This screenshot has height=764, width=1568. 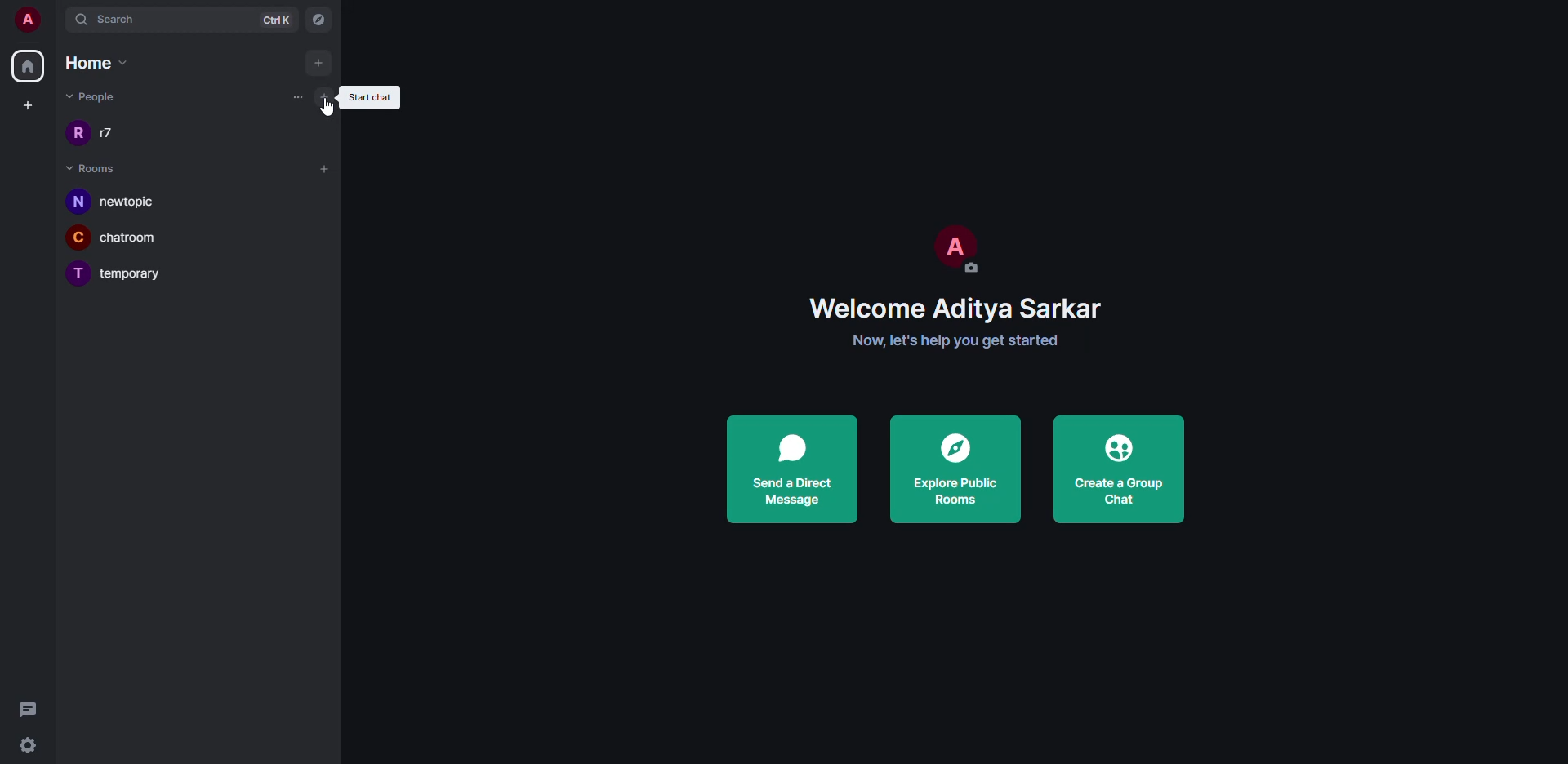 What do you see at coordinates (33, 744) in the screenshot?
I see `settings` at bounding box center [33, 744].